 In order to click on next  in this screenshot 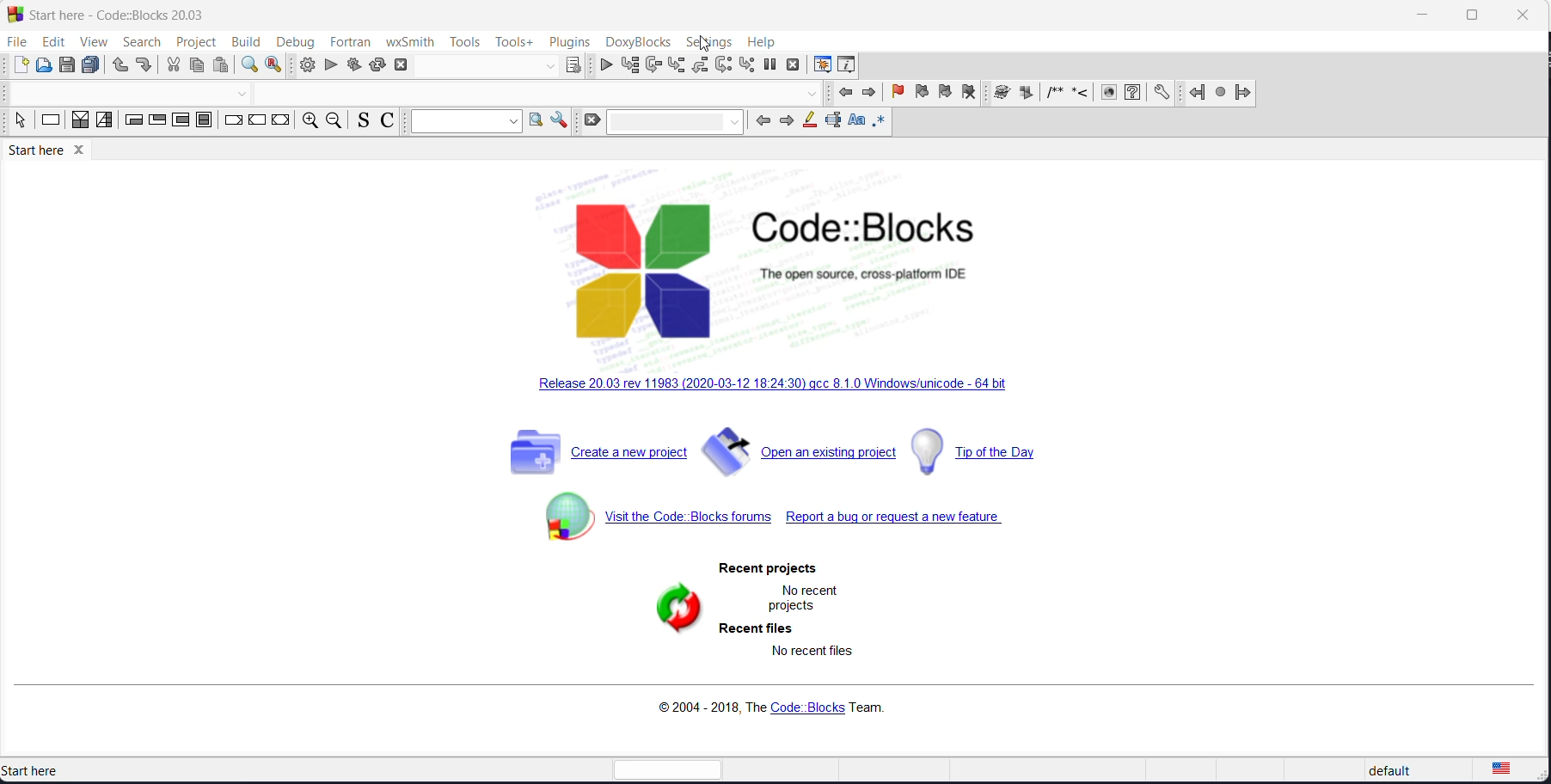, I will do `click(873, 94)`.